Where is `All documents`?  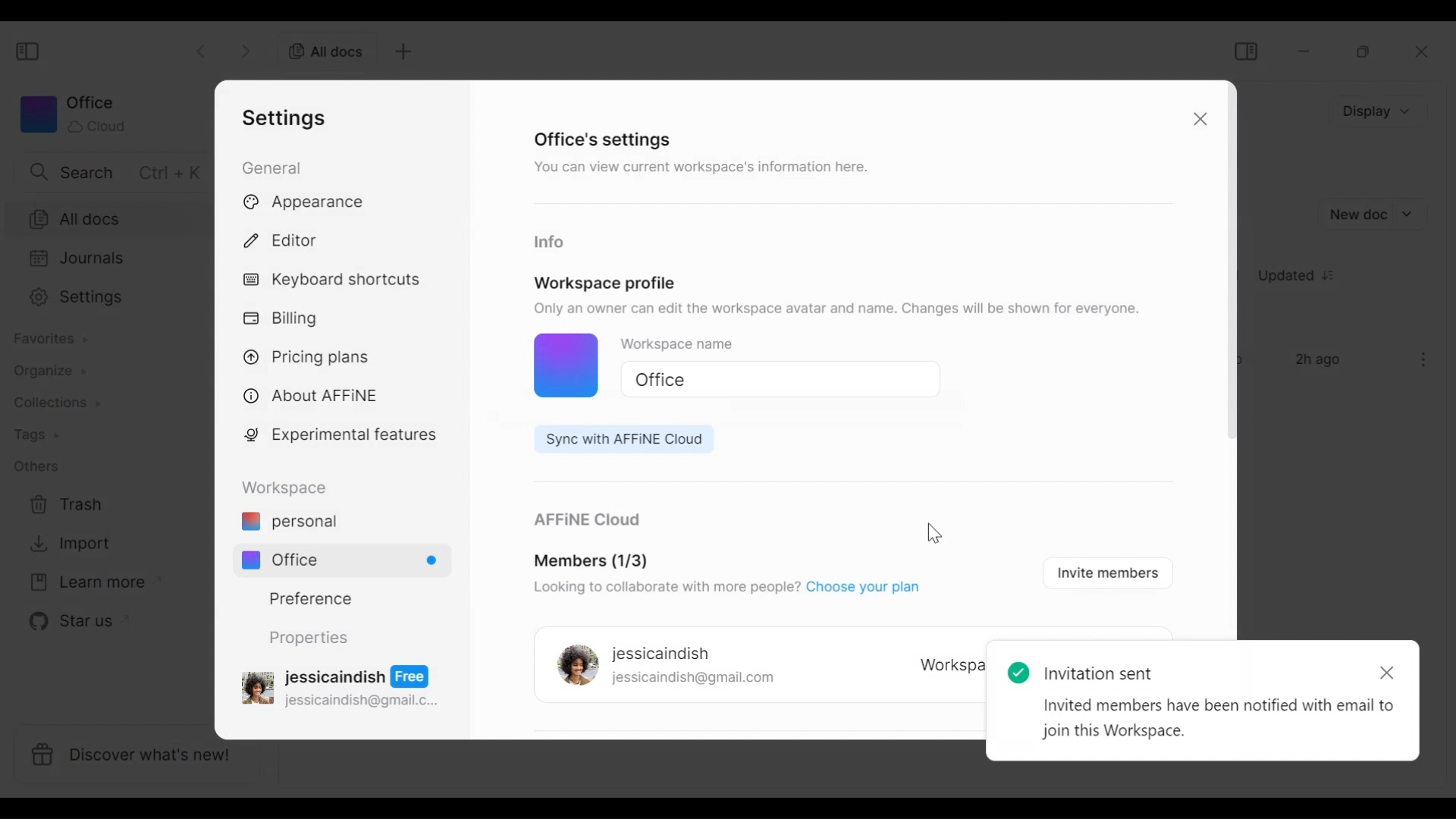
All documents is located at coordinates (106, 218).